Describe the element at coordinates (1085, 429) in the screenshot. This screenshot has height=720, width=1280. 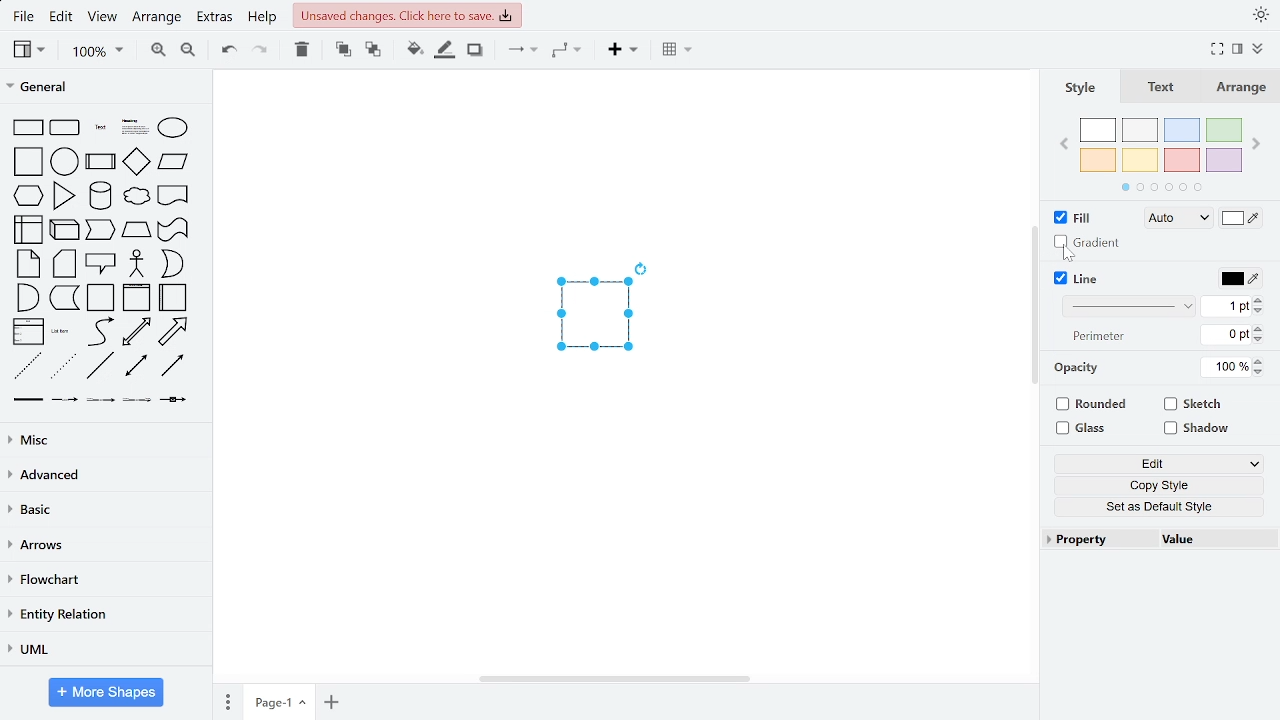
I see `glass` at that location.